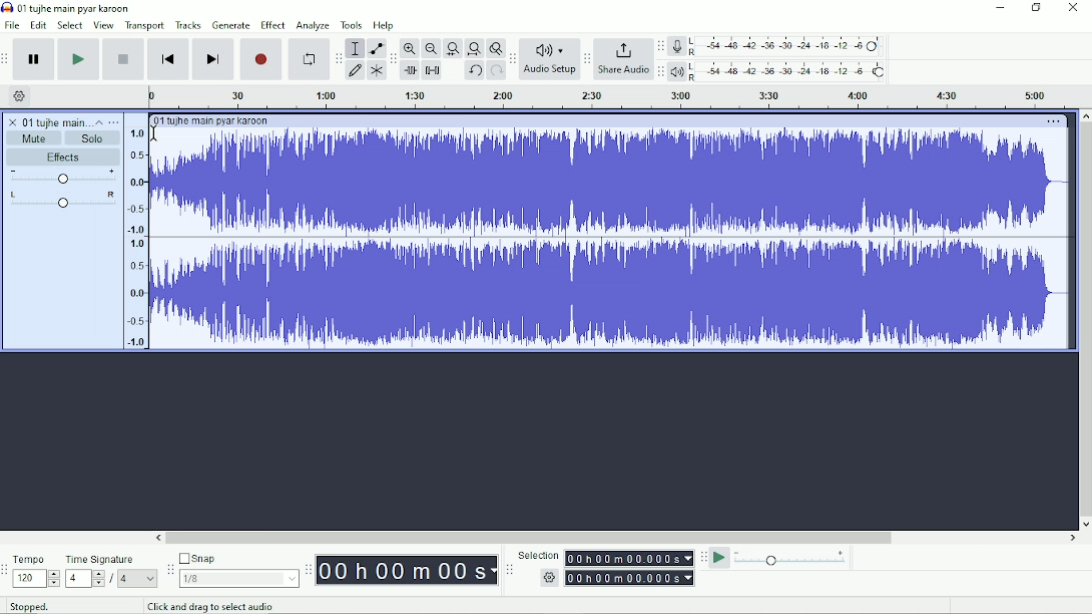  What do you see at coordinates (375, 70) in the screenshot?
I see `Multi-tool` at bounding box center [375, 70].